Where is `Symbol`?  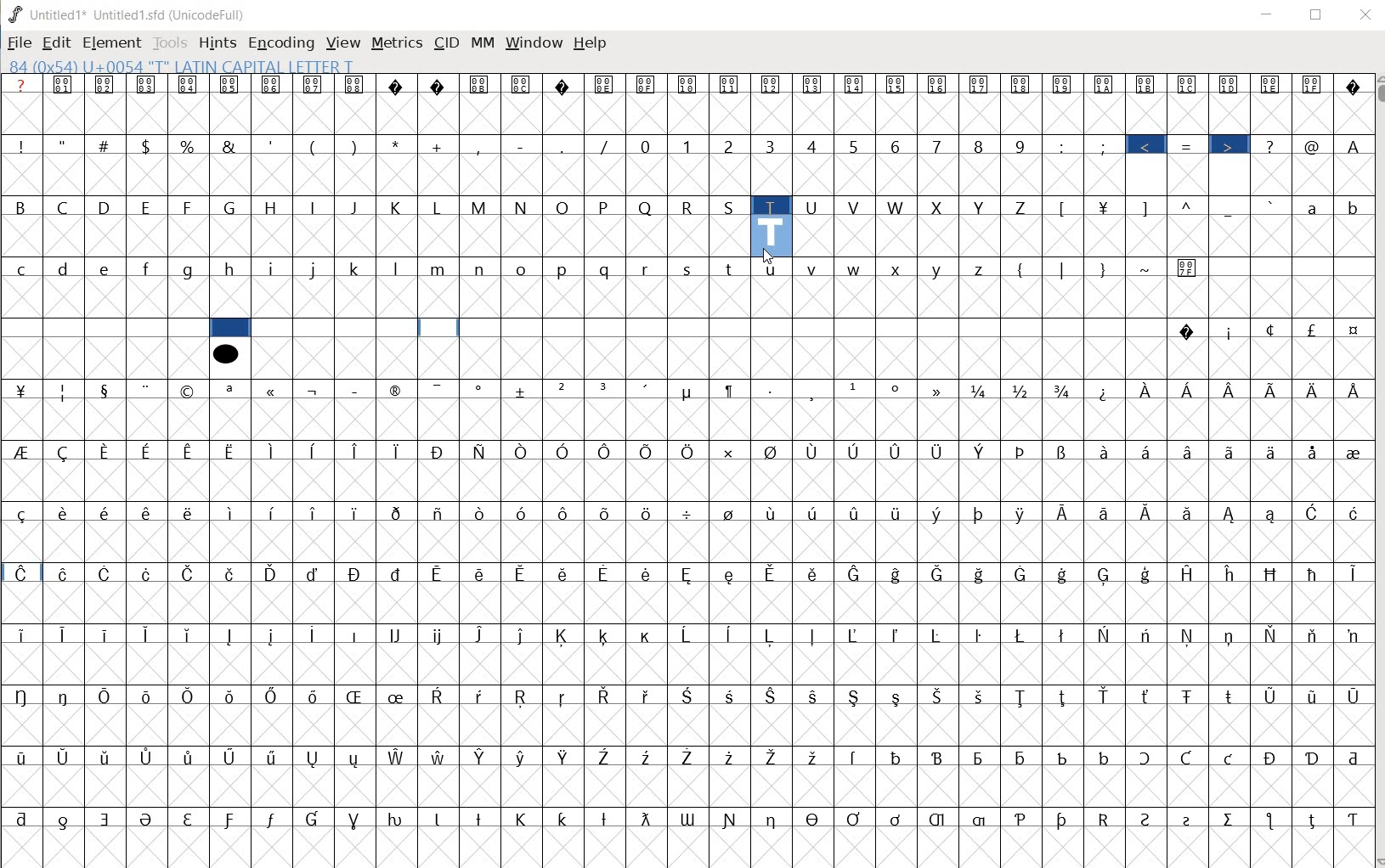
Symbol is located at coordinates (1272, 820).